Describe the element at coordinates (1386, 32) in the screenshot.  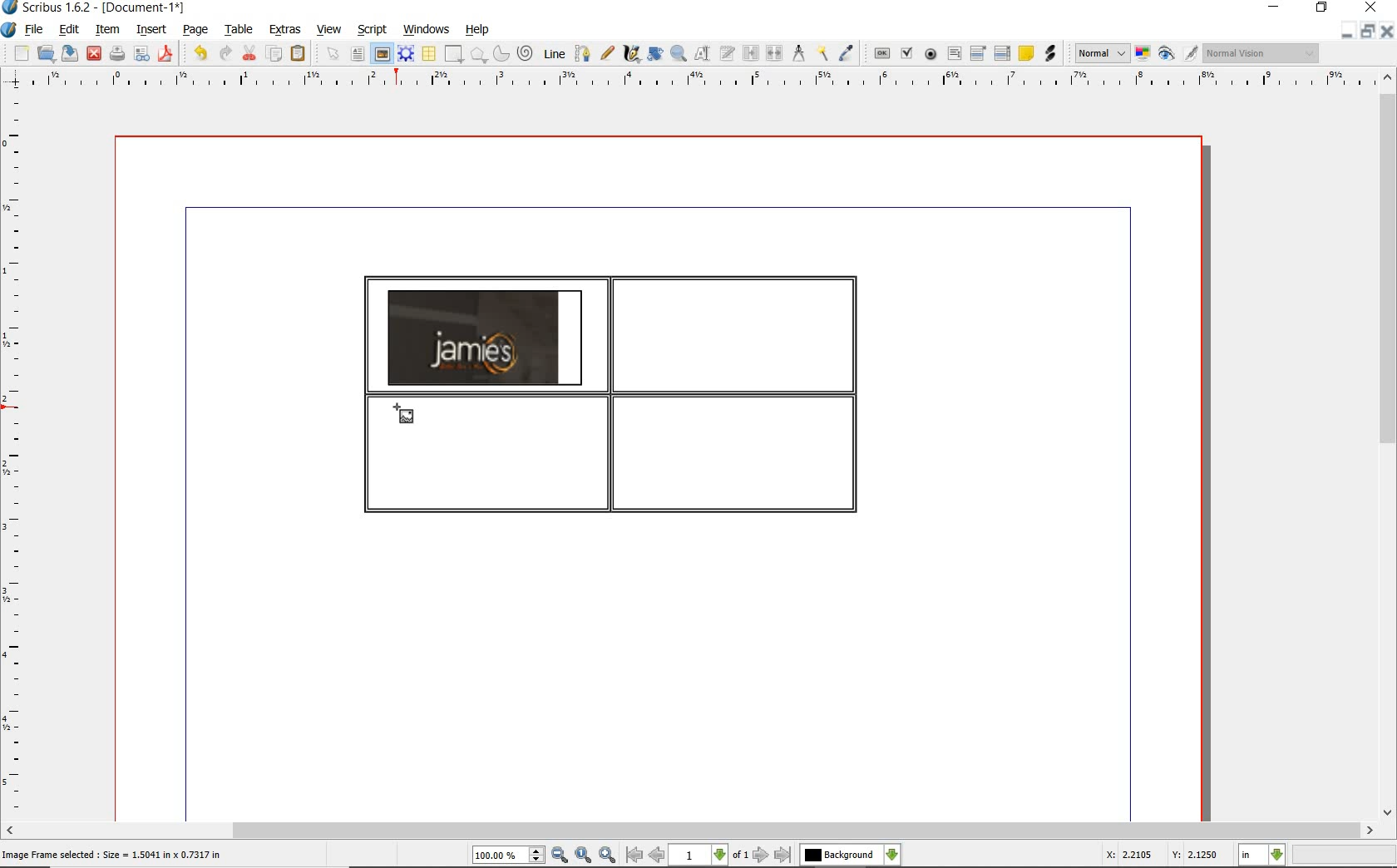
I see `close` at that location.